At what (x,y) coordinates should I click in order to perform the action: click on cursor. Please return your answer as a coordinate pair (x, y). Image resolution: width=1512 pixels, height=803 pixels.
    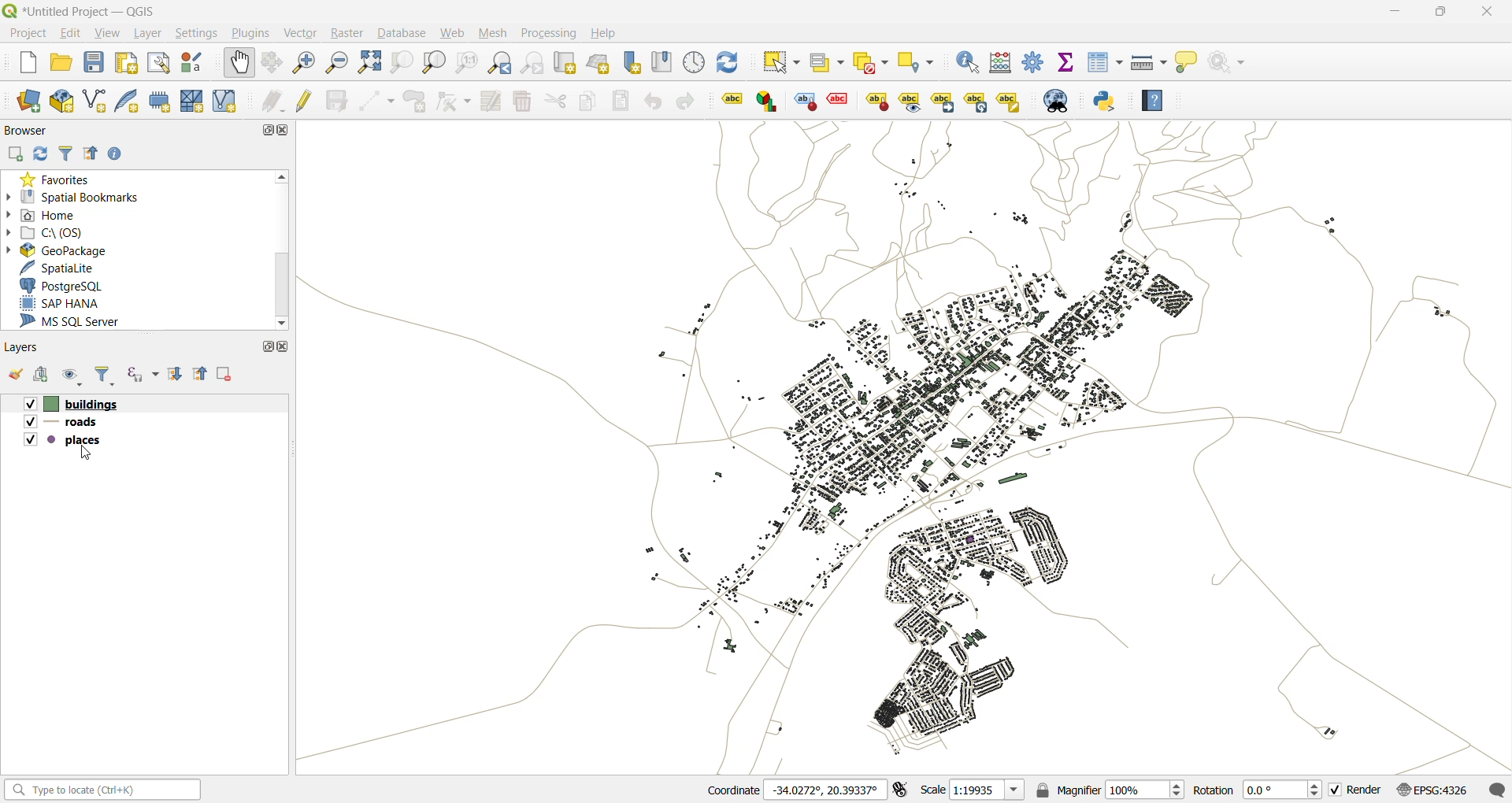
    Looking at the image, I should click on (86, 453).